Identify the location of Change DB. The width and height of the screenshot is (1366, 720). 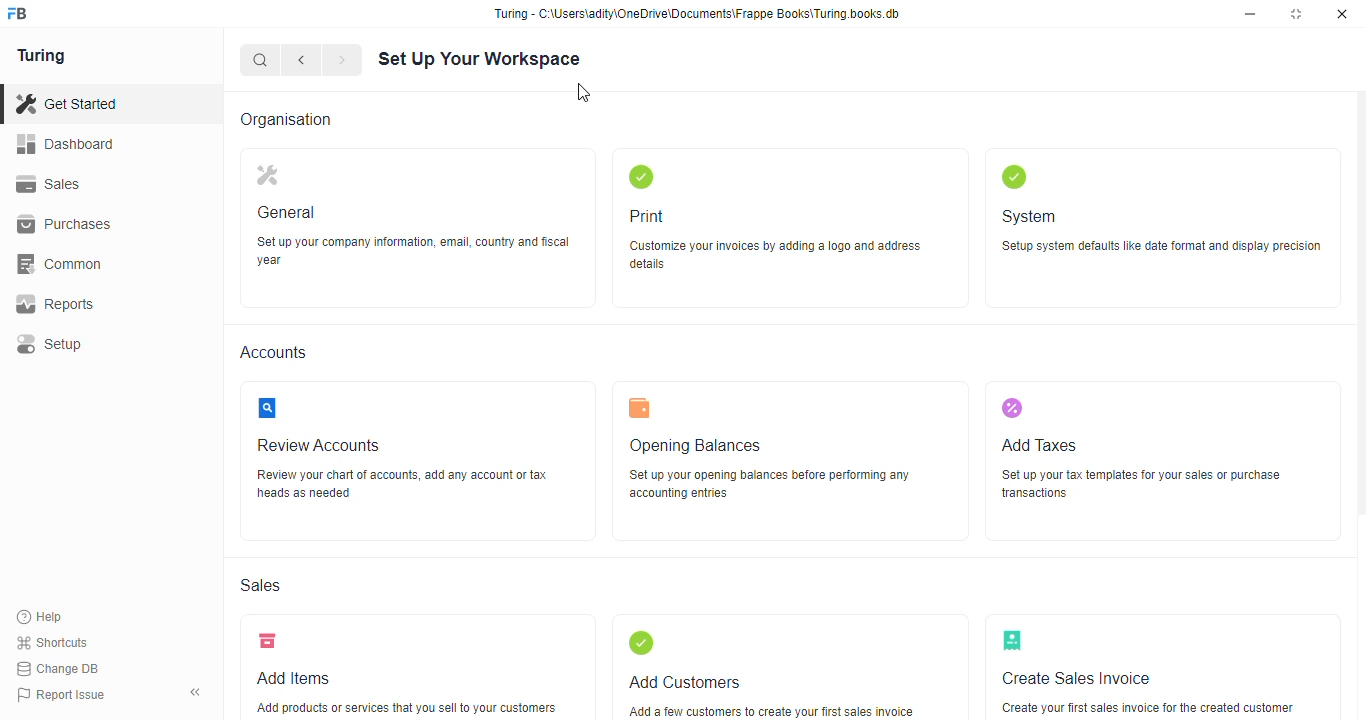
(60, 670).